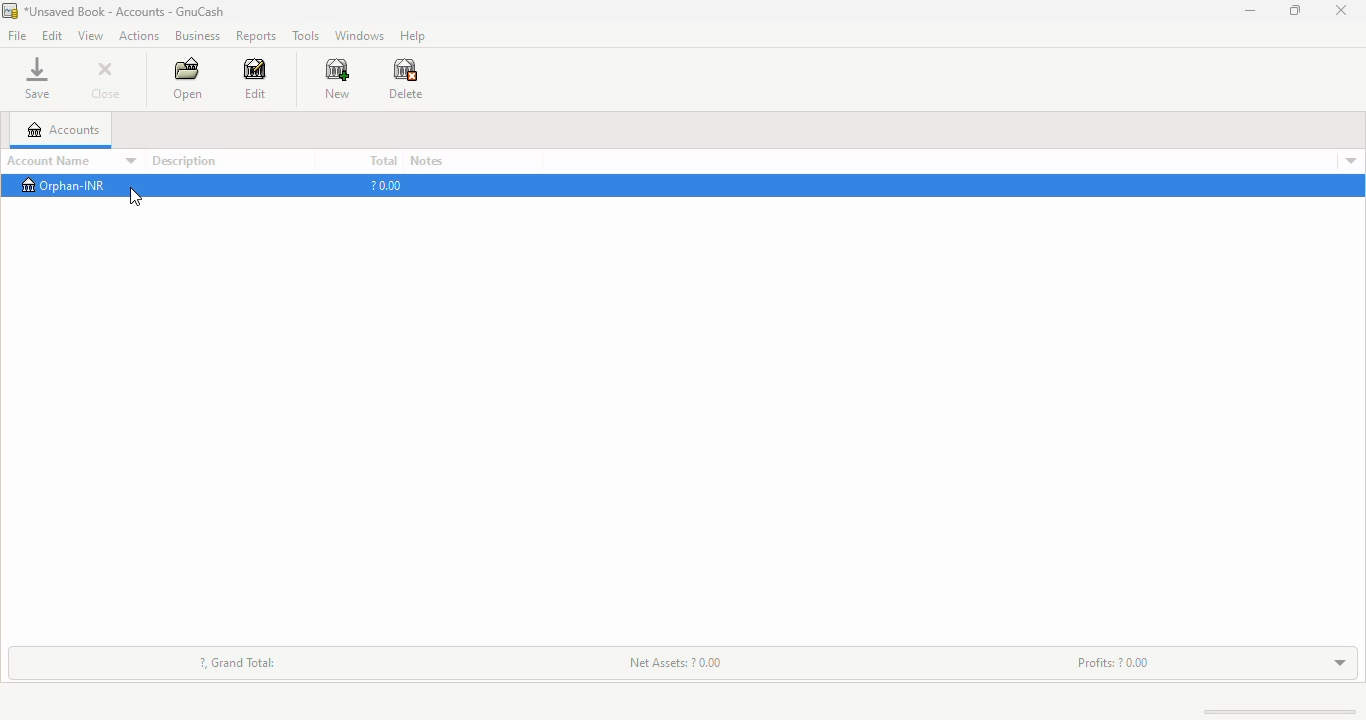  What do you see at coordinates (62, 130) in the screenshot?
I see `accounts` at bounding box center [62, 130].